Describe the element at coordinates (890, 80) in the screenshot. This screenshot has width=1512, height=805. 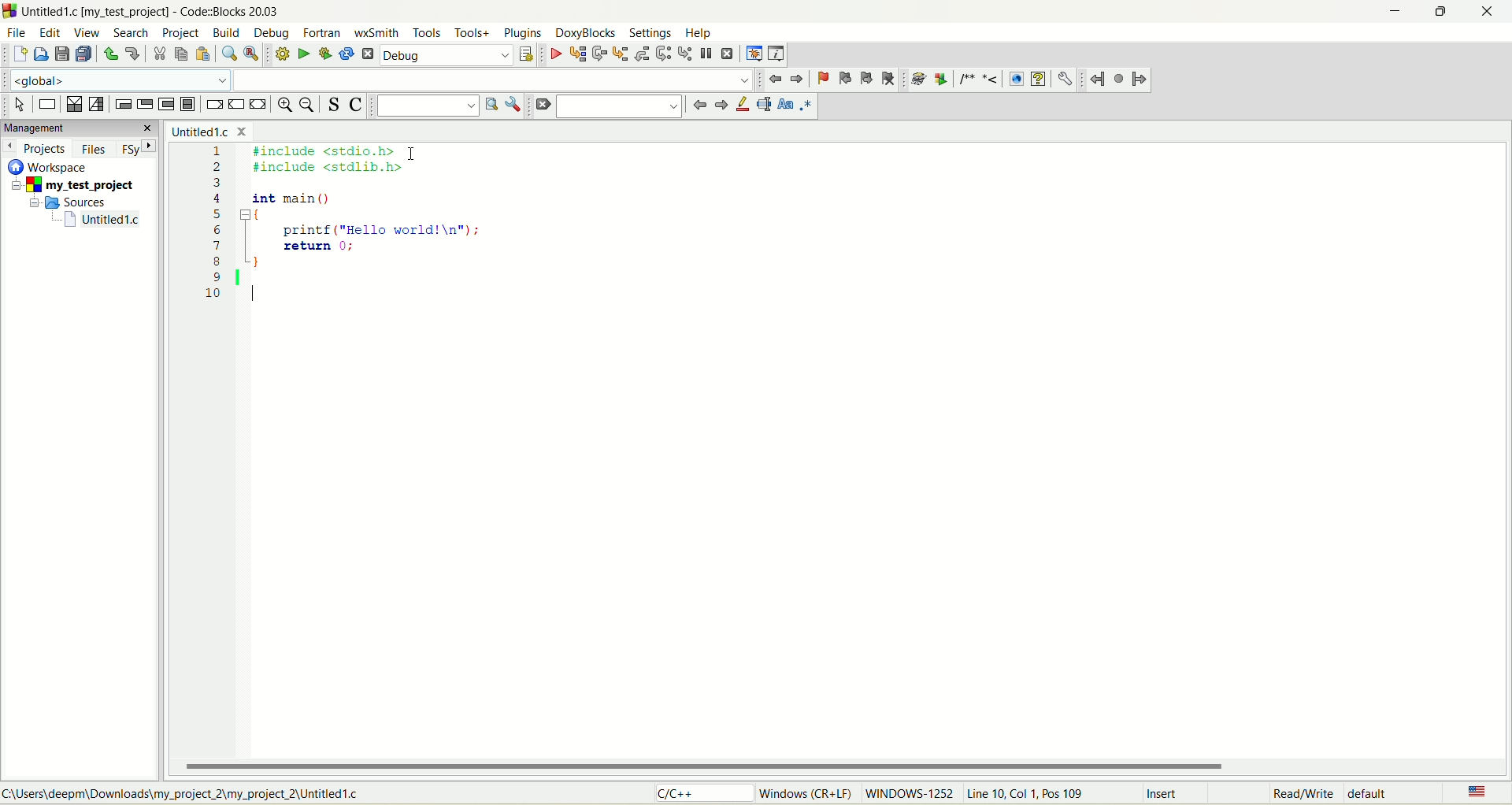
I see `clear bookmark` at that location.